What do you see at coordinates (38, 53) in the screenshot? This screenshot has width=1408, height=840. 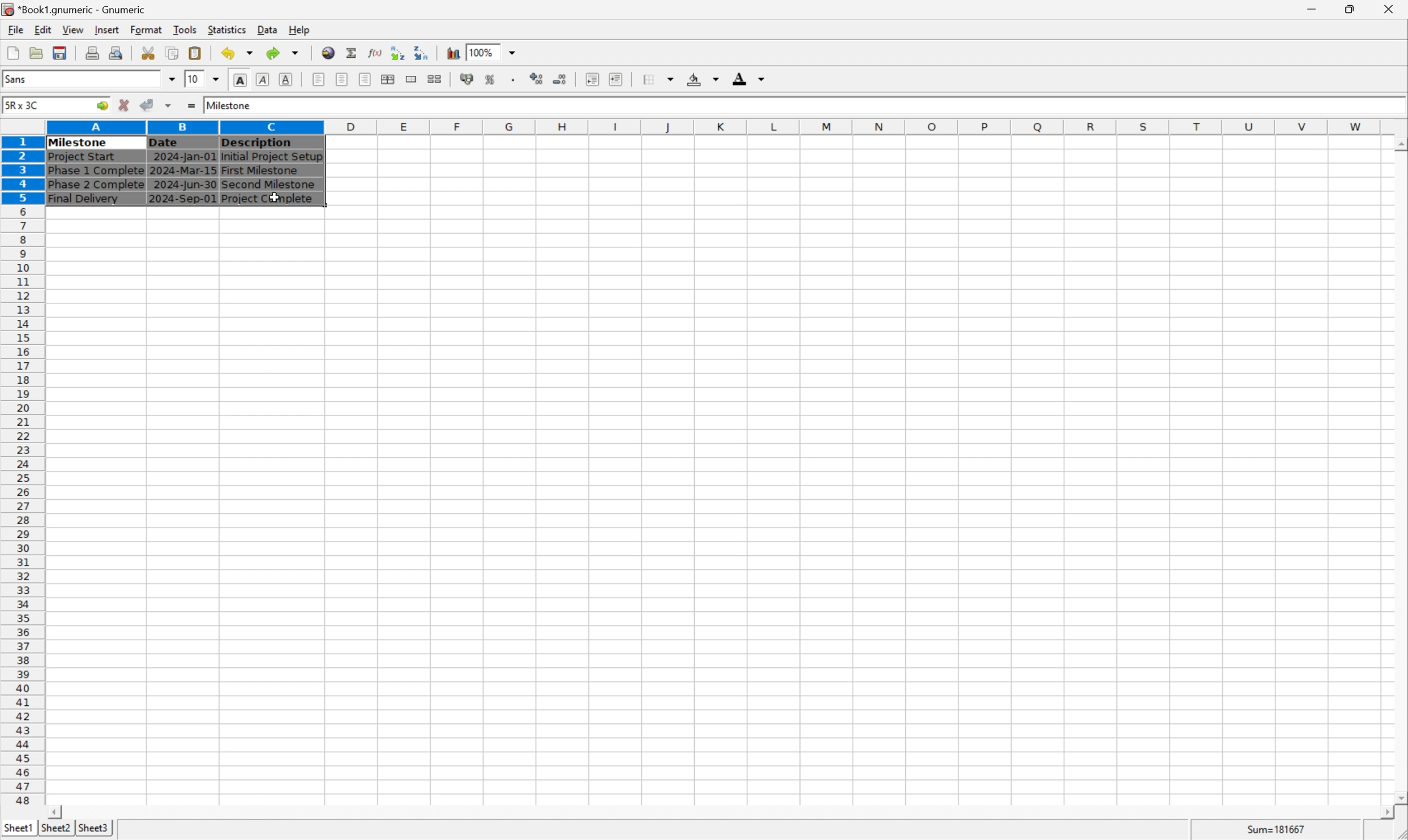 I see `open a file` at bounding box center [38, 53].